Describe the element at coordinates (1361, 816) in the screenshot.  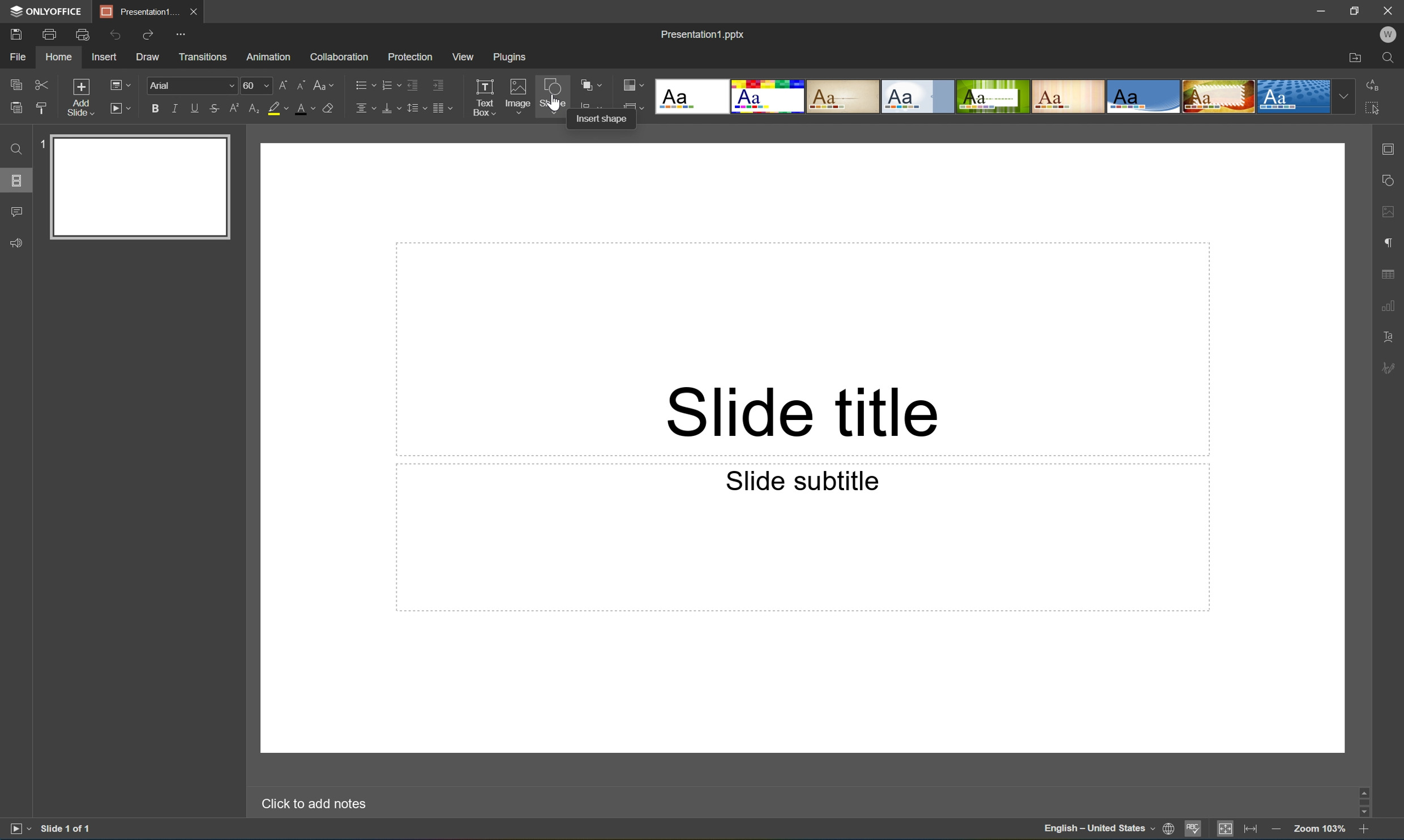
I see `Scroll Down` at that location.